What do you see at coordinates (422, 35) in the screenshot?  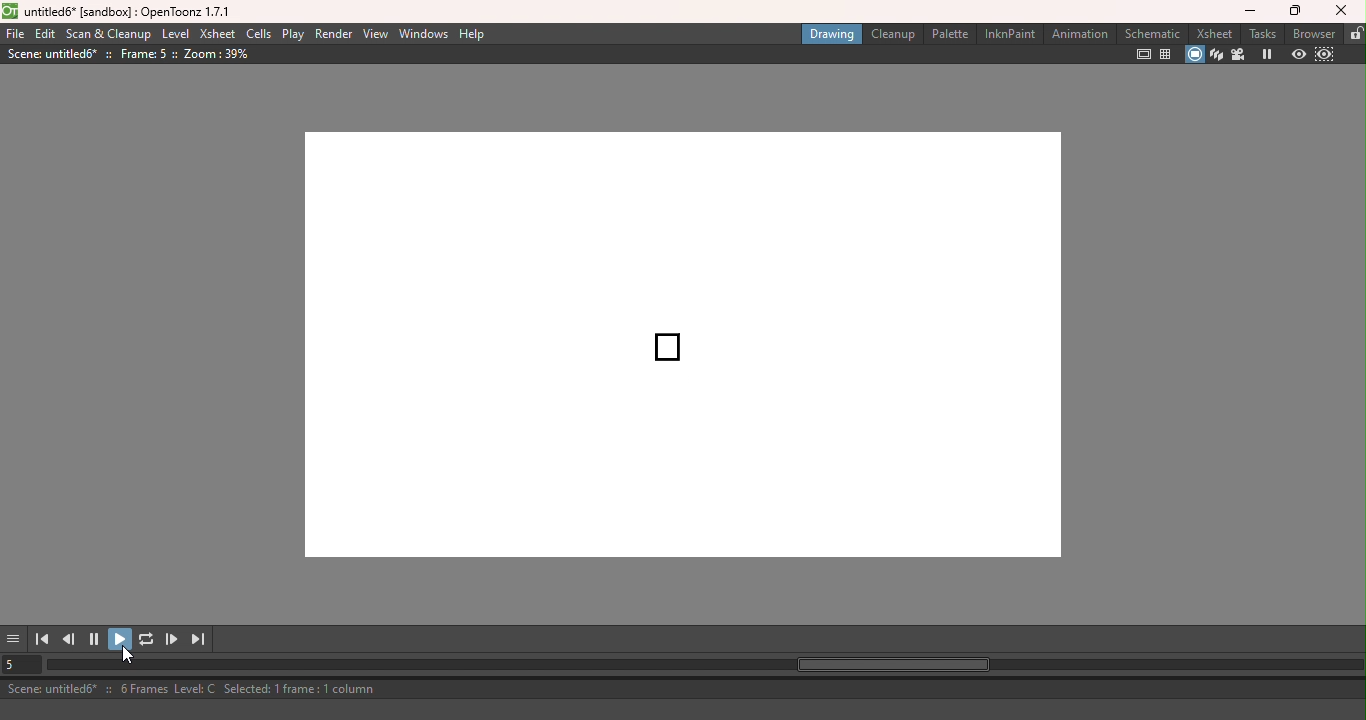 I see `Windows` at bounding box center [422, 35].